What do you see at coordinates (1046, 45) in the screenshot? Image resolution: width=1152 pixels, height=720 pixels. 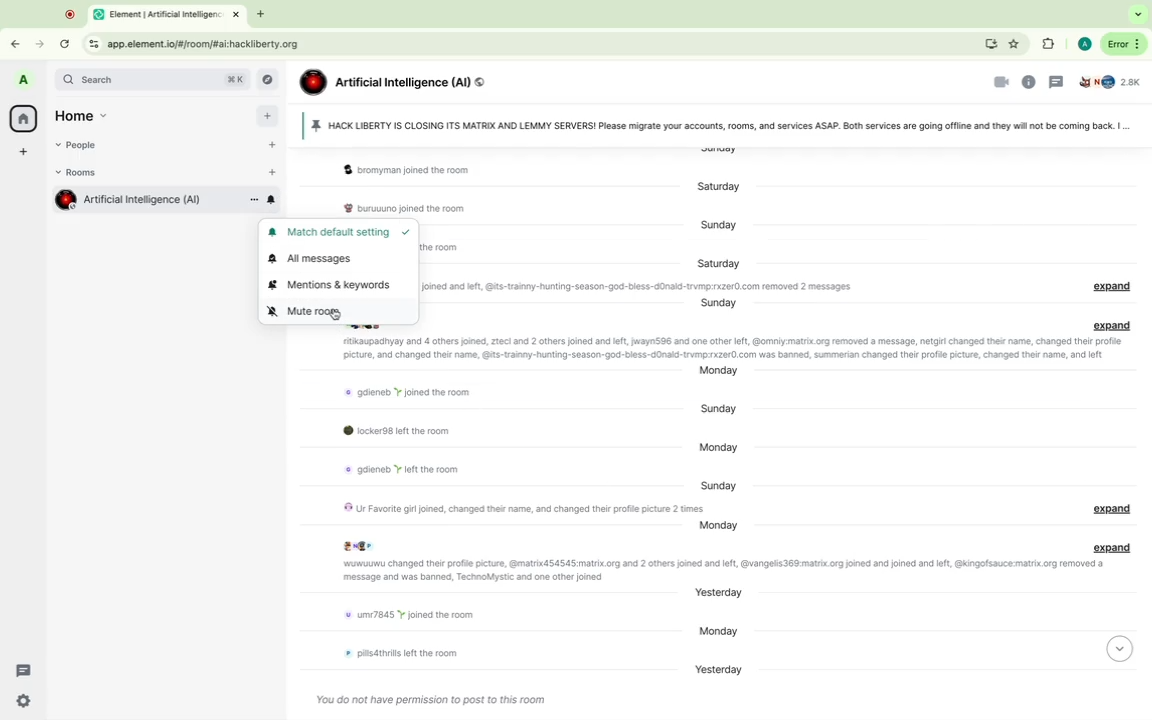 I see `Extentions` at bounding box center [1046, 45].